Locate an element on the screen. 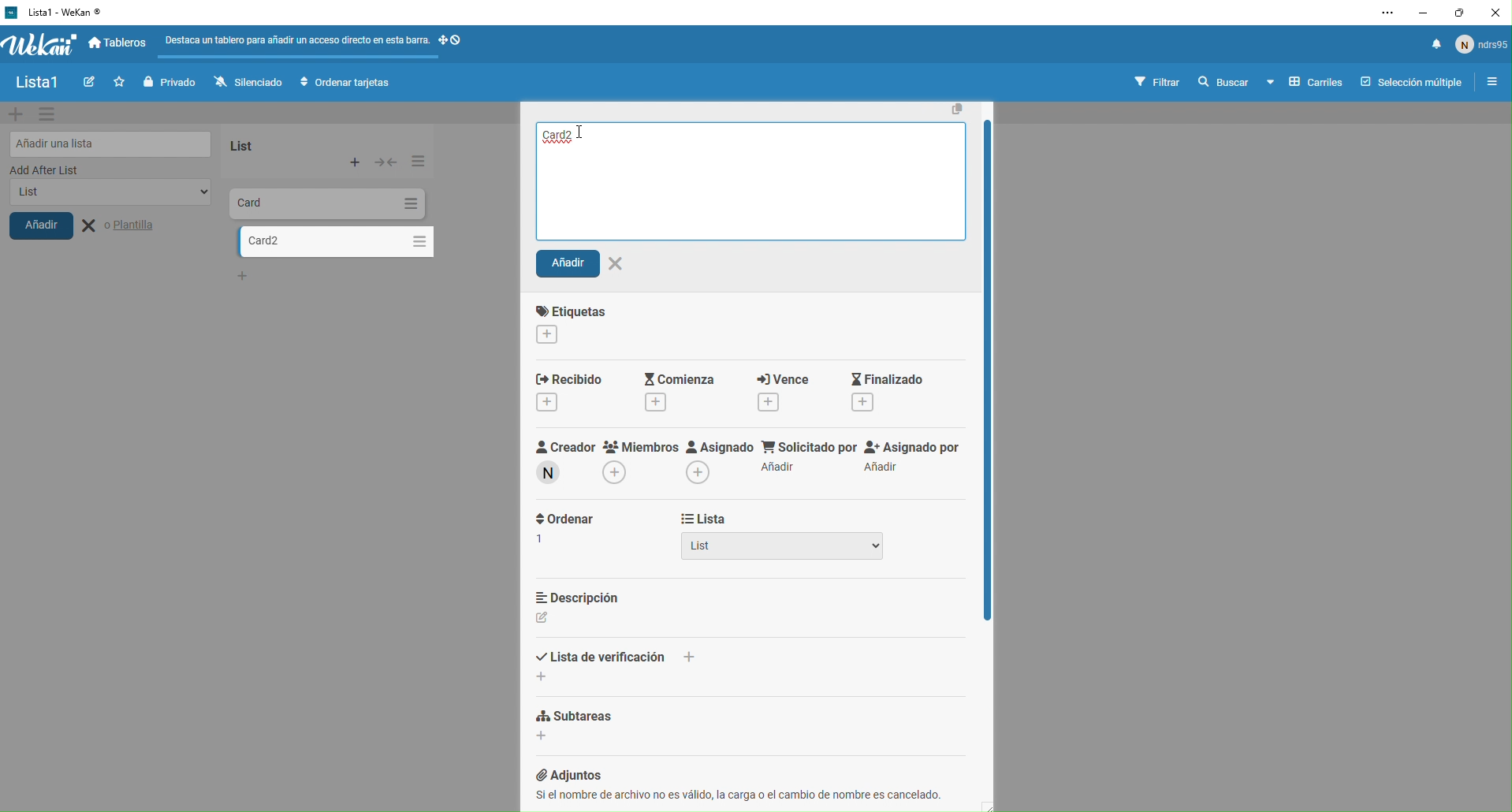  etiquette is located at coordinates (600, 322).